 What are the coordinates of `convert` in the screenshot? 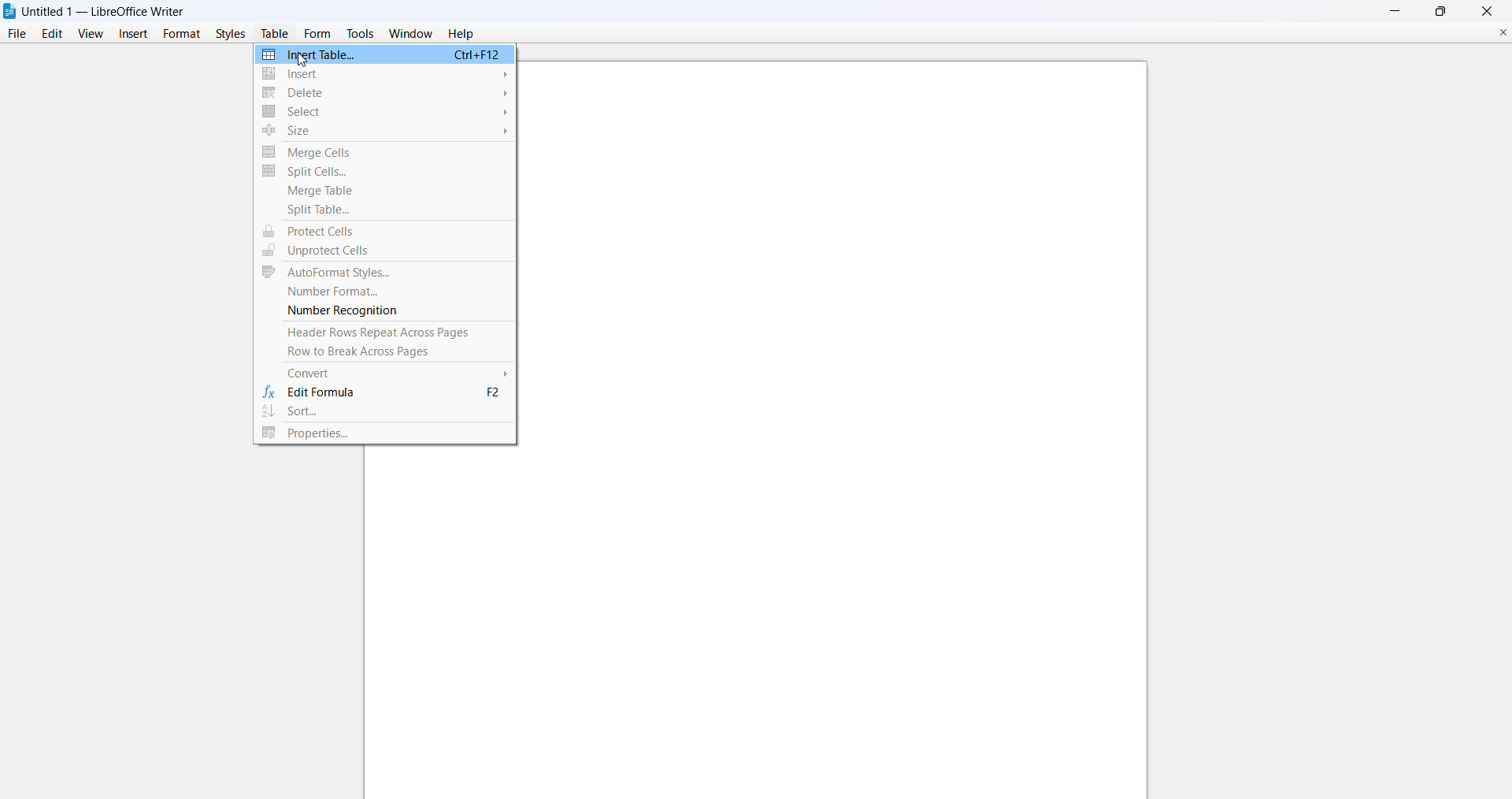 It's located at (389, 373).